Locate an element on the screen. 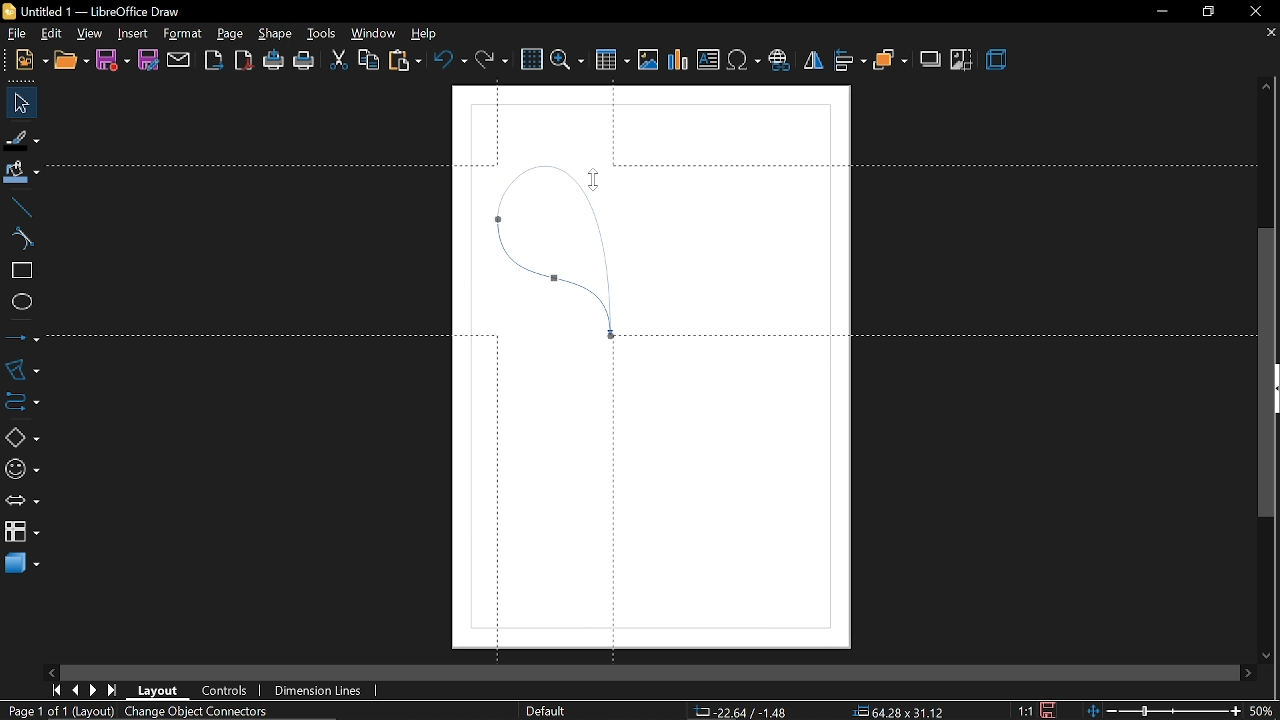  (Layout) Object Connectors selected is located at coordinates (173, 712).